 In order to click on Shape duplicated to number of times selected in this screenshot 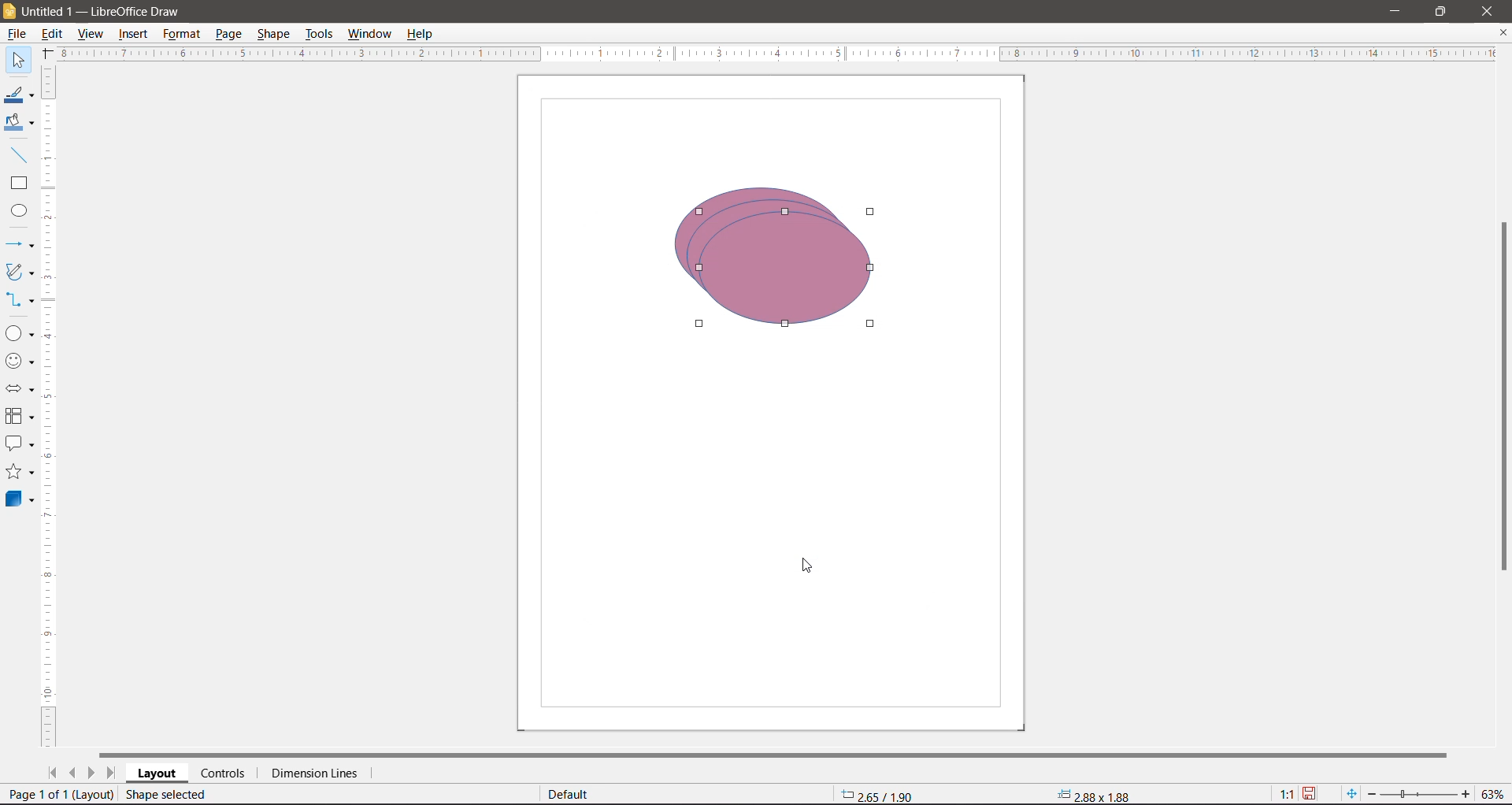, I will do `click(776, 260)`.